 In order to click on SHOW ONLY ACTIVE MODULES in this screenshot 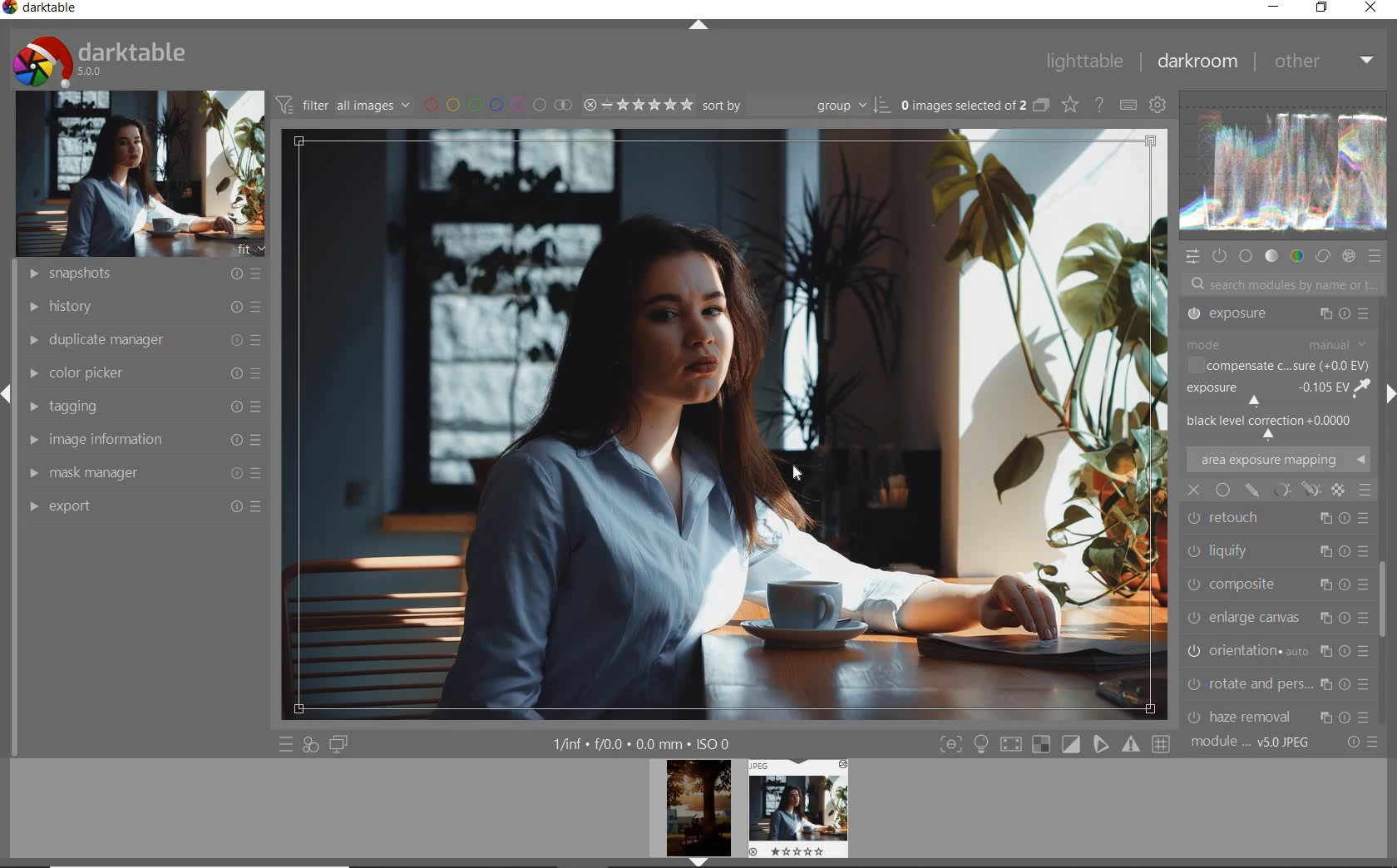, I will do `click(1219, 257)`.